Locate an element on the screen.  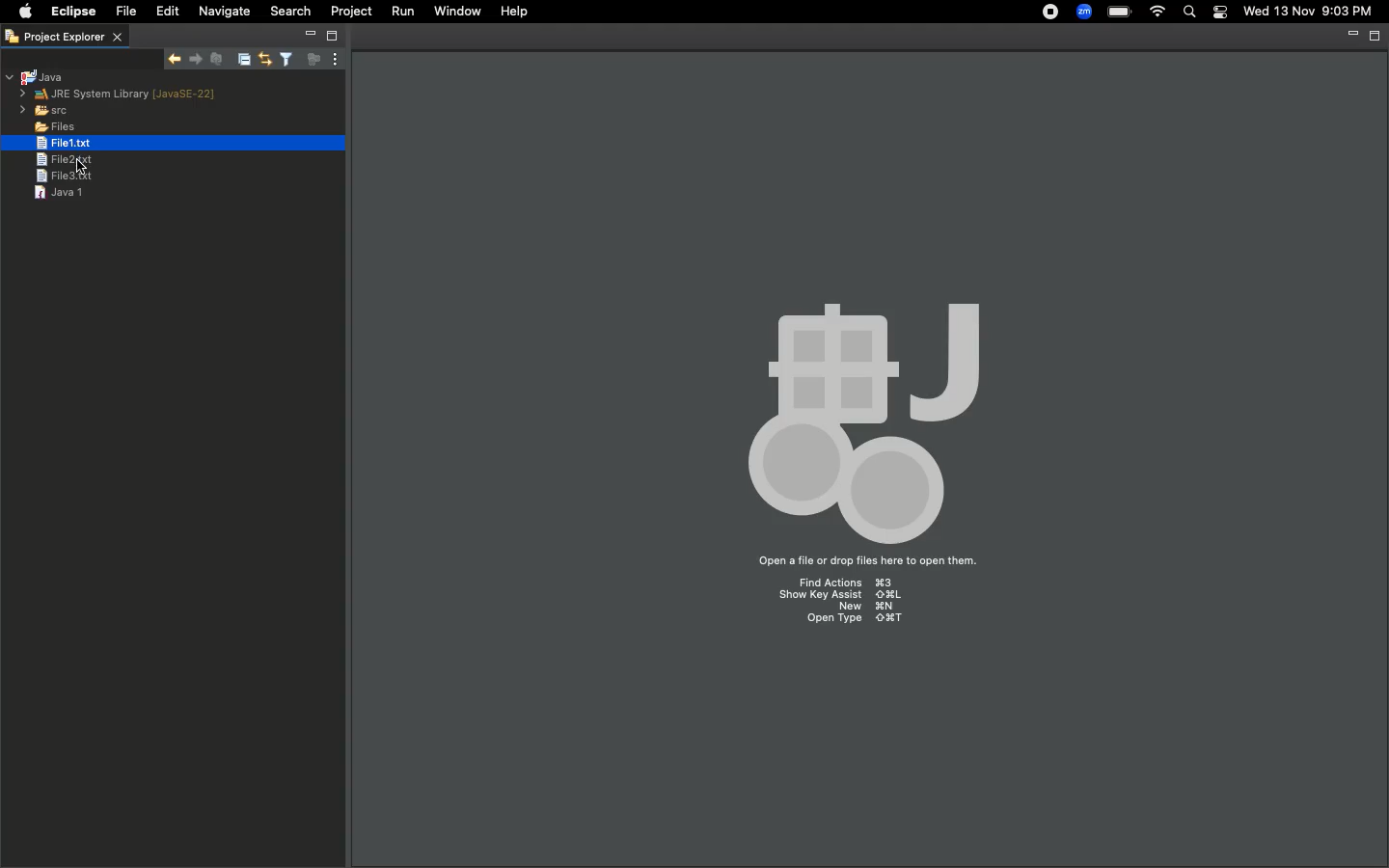
Maximize is located at coordinates (331, 36).